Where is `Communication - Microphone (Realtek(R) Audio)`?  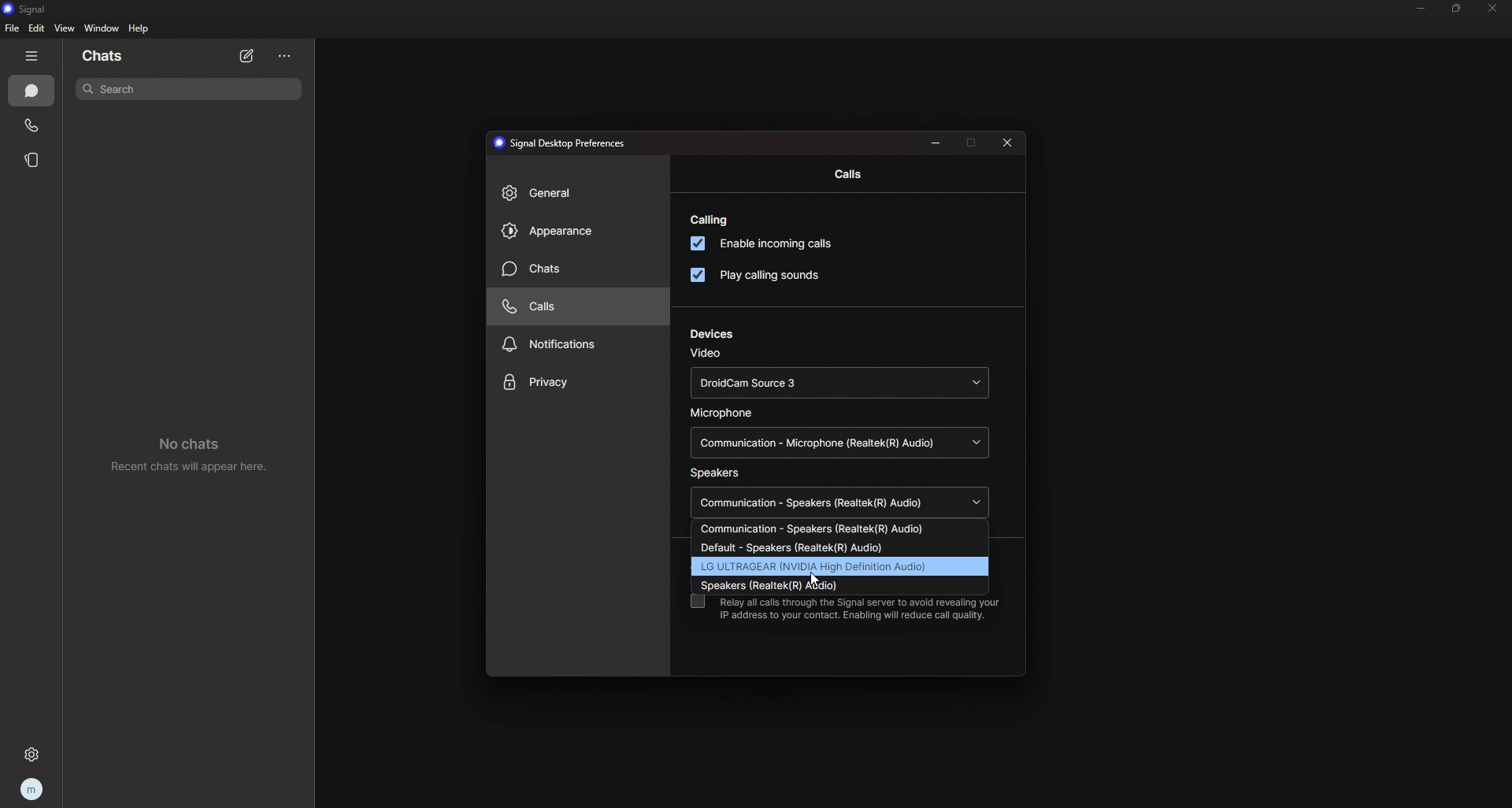 Communication - Microphone (Realtek(R) Audio) is located at coordinates (837, 442).